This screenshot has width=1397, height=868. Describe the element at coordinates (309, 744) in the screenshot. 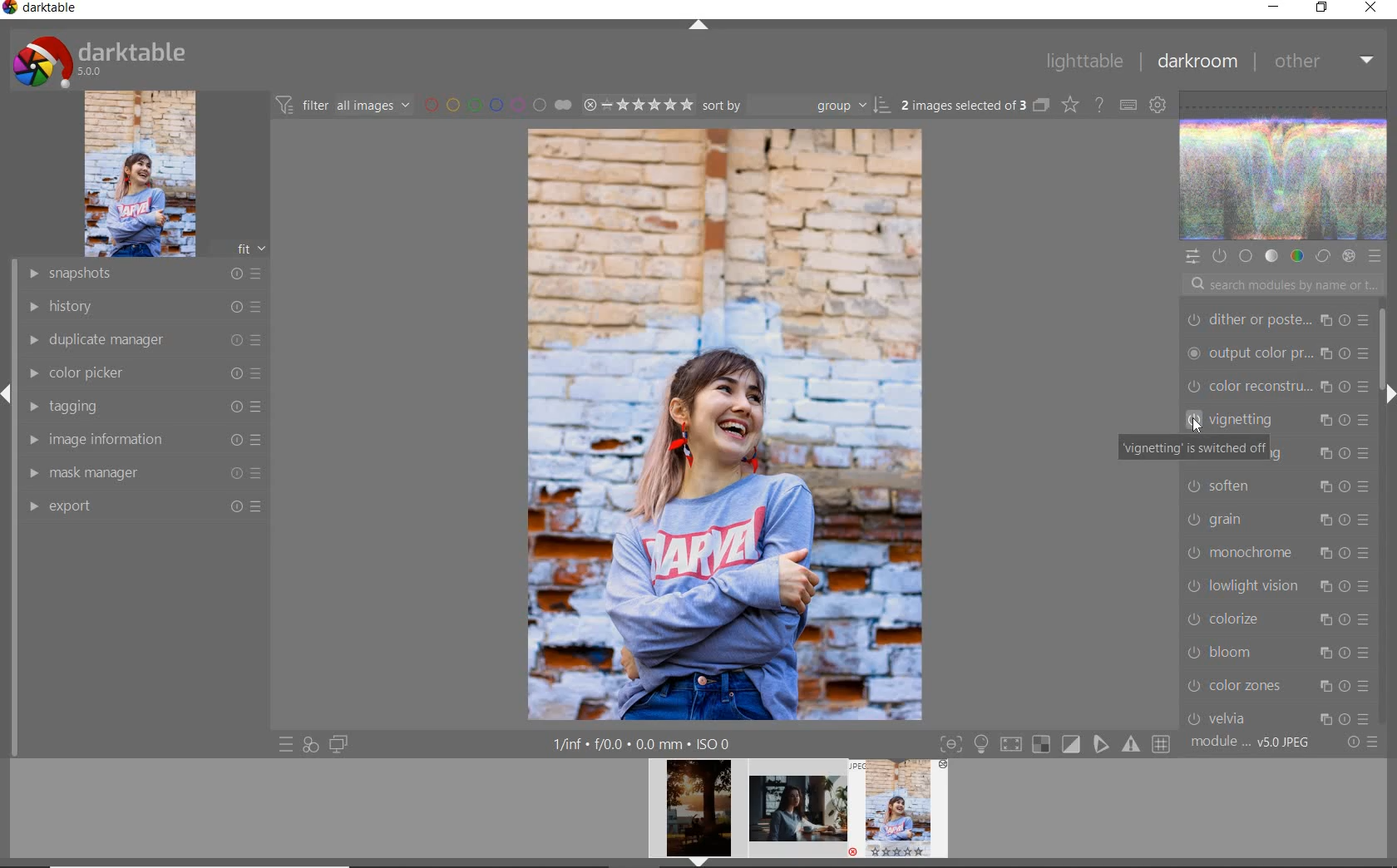

I see `quick access for applying any of your style` at that location.